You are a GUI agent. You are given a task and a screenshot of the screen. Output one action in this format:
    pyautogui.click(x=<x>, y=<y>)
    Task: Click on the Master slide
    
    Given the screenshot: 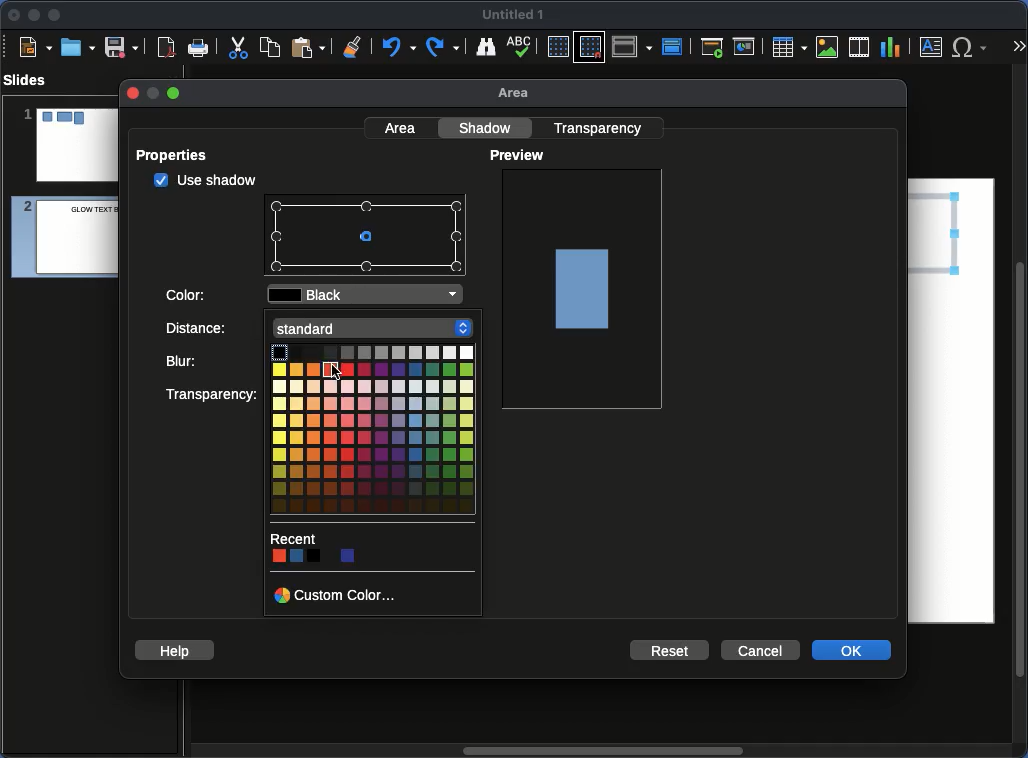 What is the action you would take?
    pyautogui.click(x=675, y=46)
    